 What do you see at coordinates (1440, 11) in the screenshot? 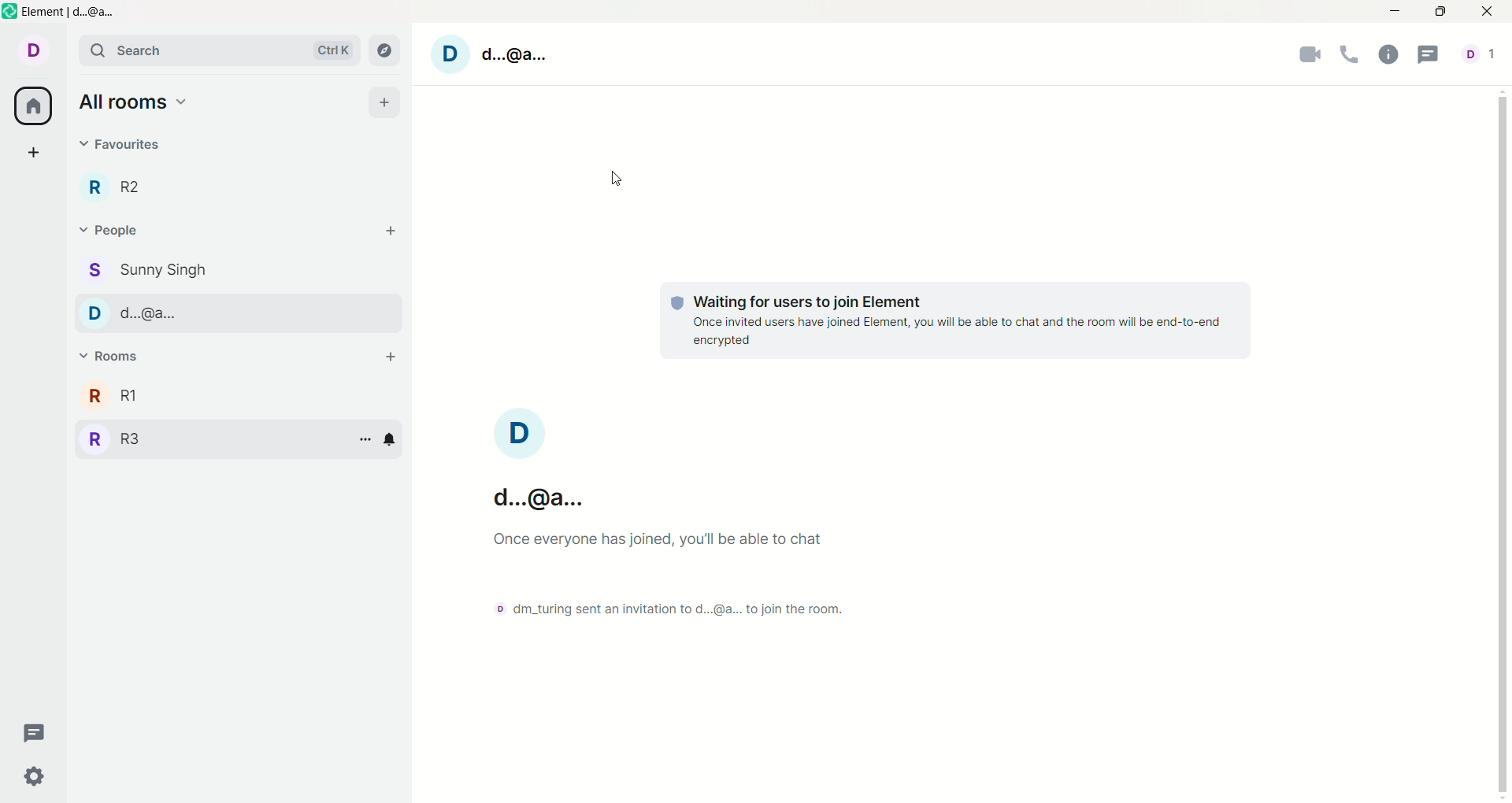
I see `maximize` at bounding box center [1440, 11].